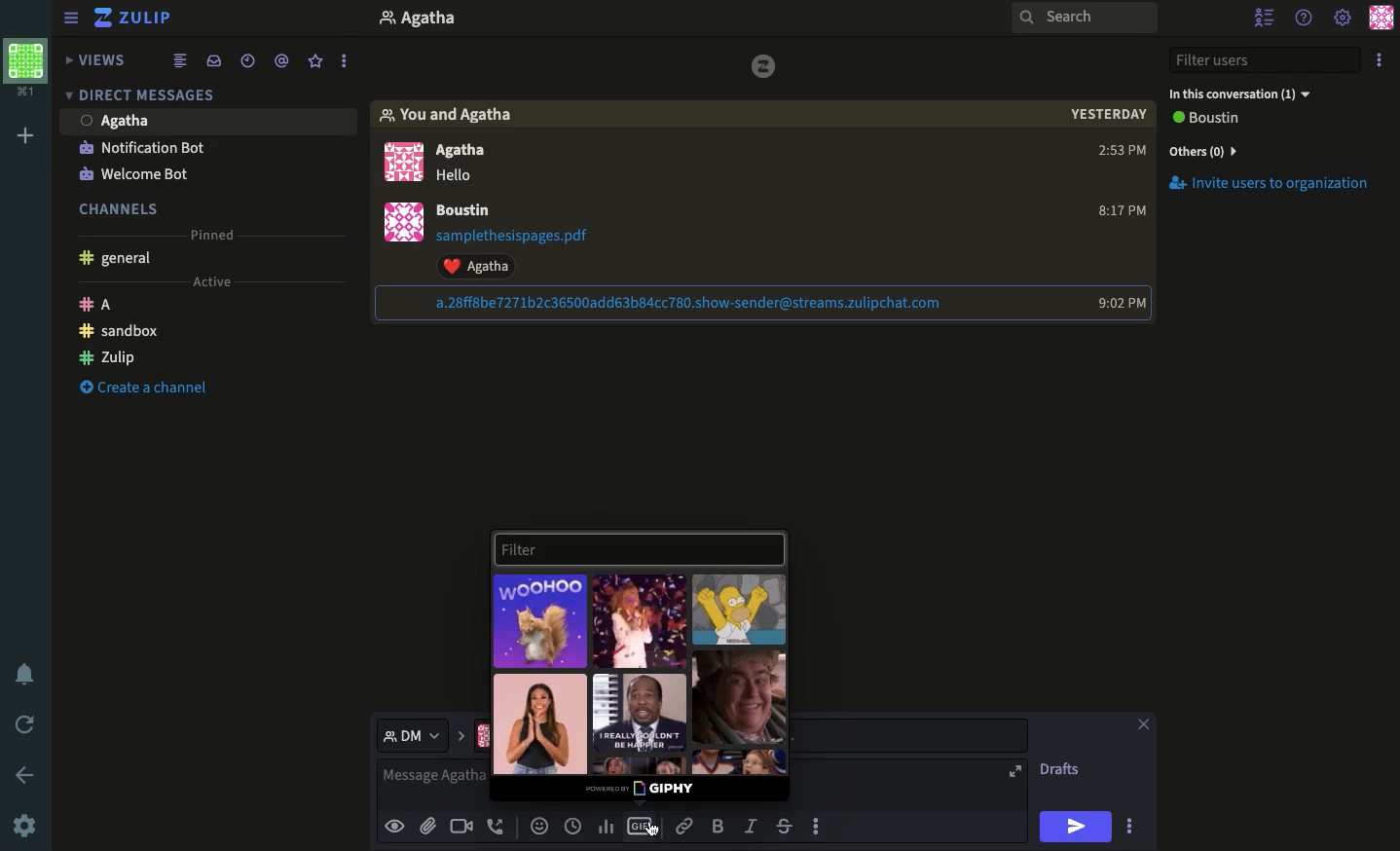 This screenshot has height=851, width=1400. Describe the element at coordinates (530, 252) in the screenshot. I see `Attachment` at that location.